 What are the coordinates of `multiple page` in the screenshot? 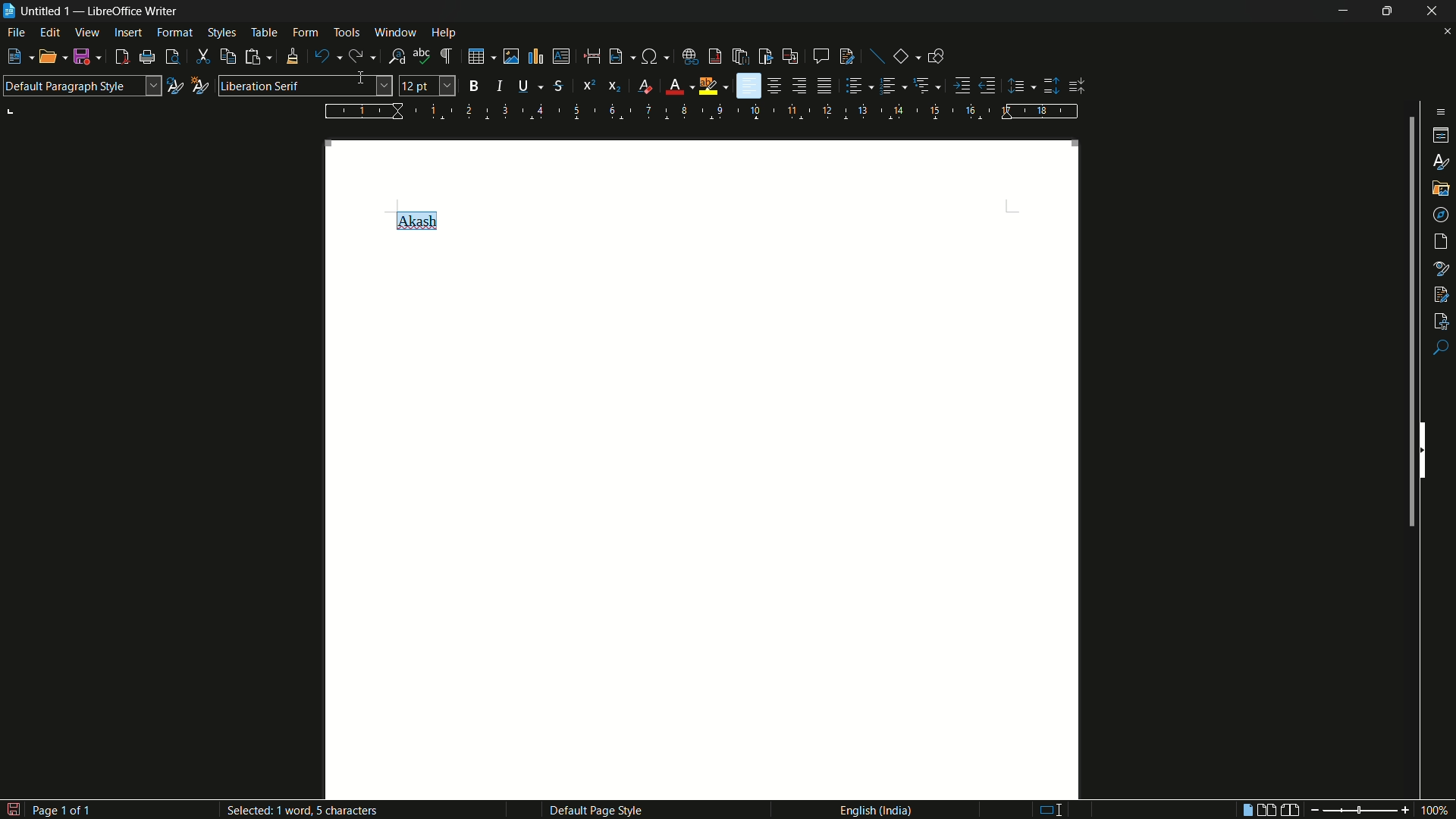 It's located at (1267, 810).